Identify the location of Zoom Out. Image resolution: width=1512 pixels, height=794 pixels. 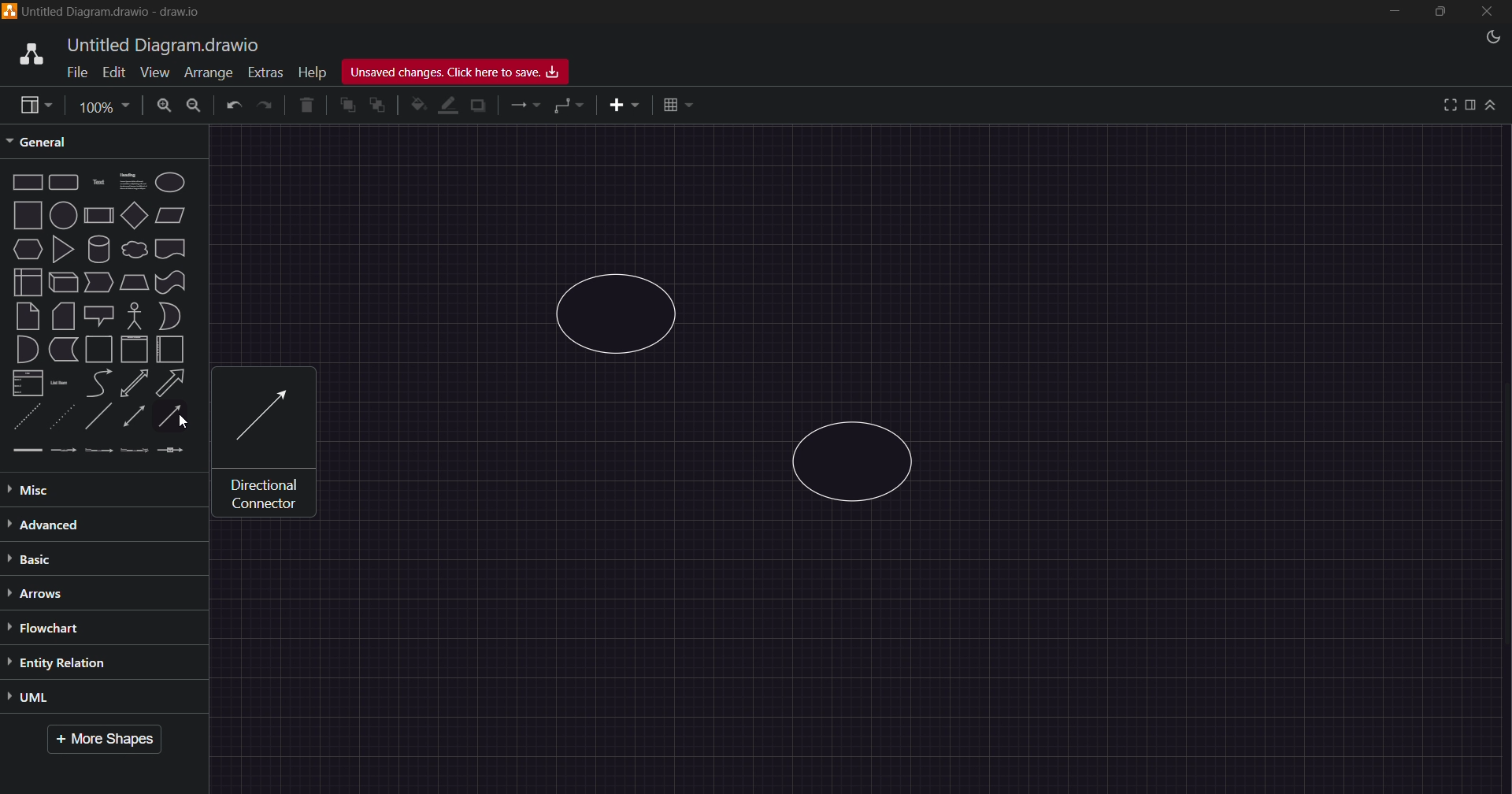
(195, 107).